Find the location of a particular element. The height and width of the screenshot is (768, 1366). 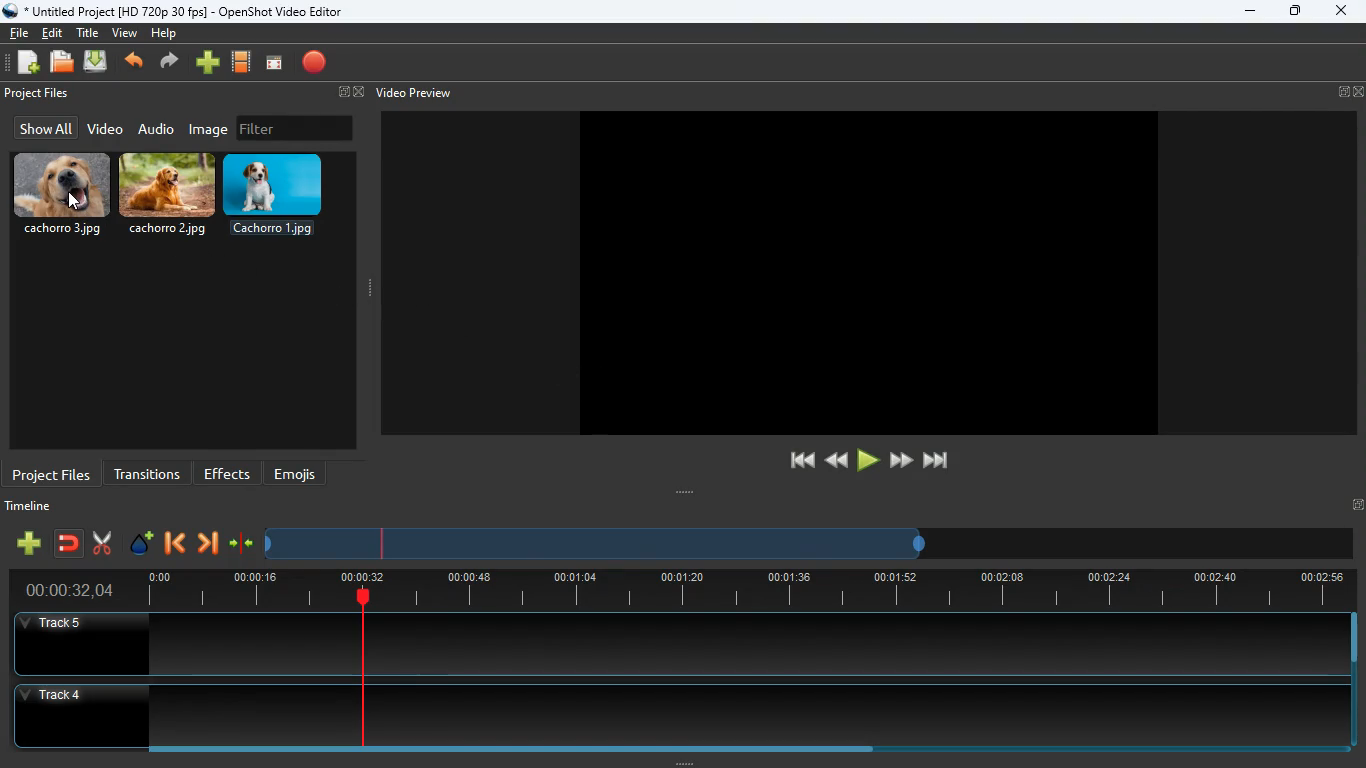

upload is located at coordinates (98, 63).